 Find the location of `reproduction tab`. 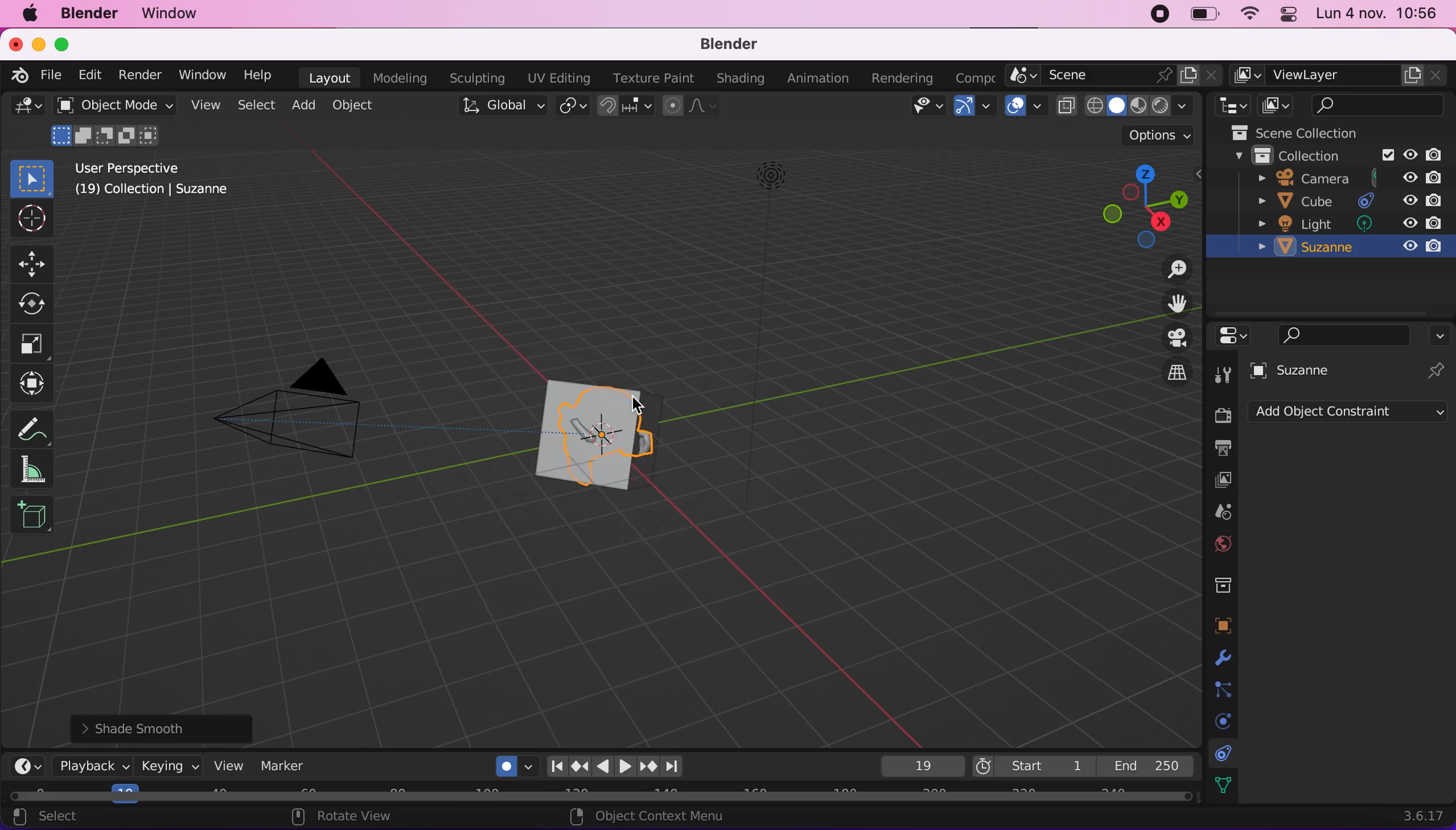

reproduction tab is located at coordinates (631, 764).